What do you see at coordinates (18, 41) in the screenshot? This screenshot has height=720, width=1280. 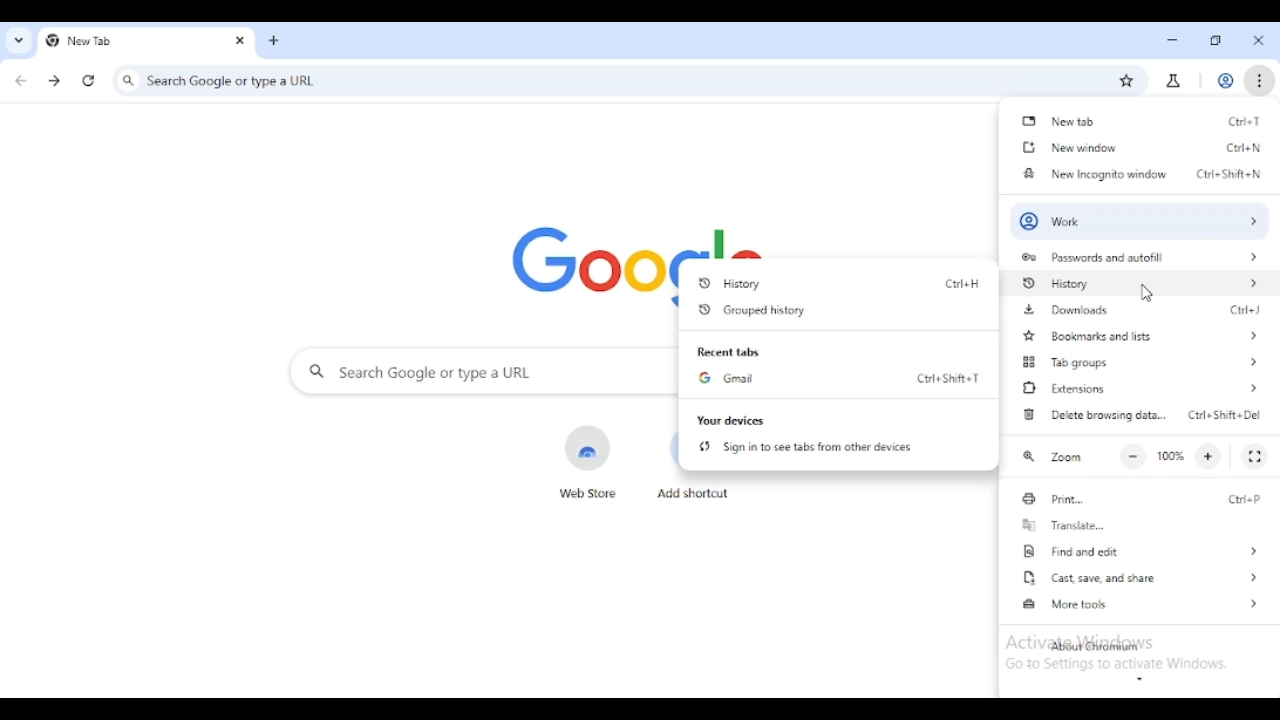 I see `search tabs` at bounding box center [18, 41].